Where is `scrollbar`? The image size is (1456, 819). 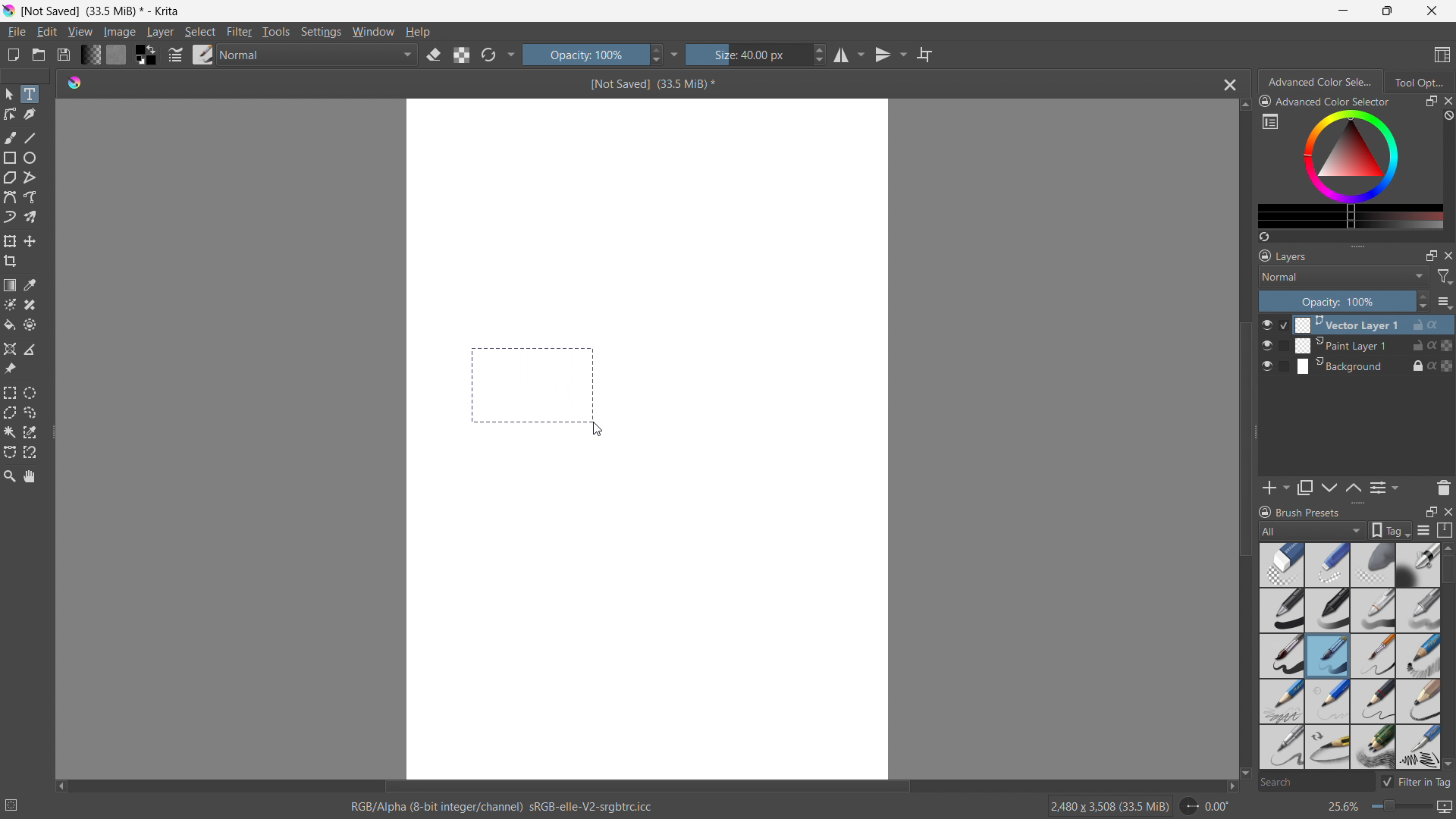
scrollbar is located at coordinates (1447, 635).